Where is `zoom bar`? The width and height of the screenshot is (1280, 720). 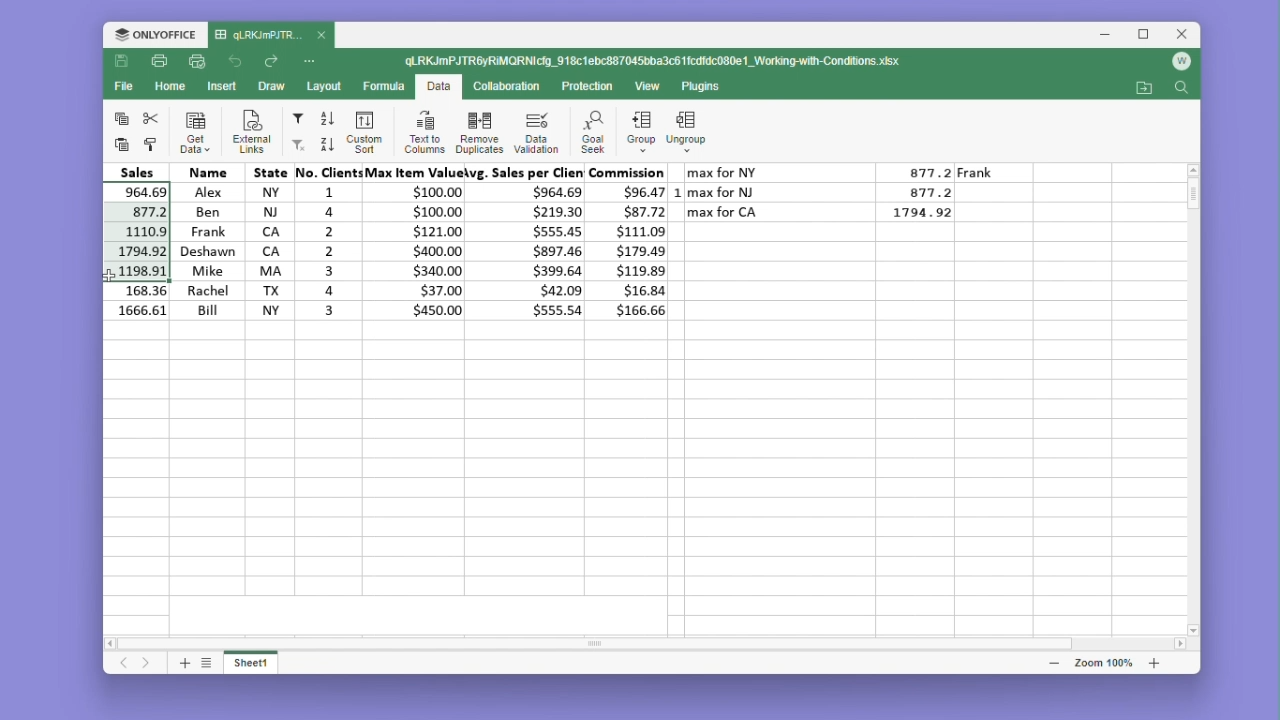 zoom bar is located at coordinates (1102, 662).